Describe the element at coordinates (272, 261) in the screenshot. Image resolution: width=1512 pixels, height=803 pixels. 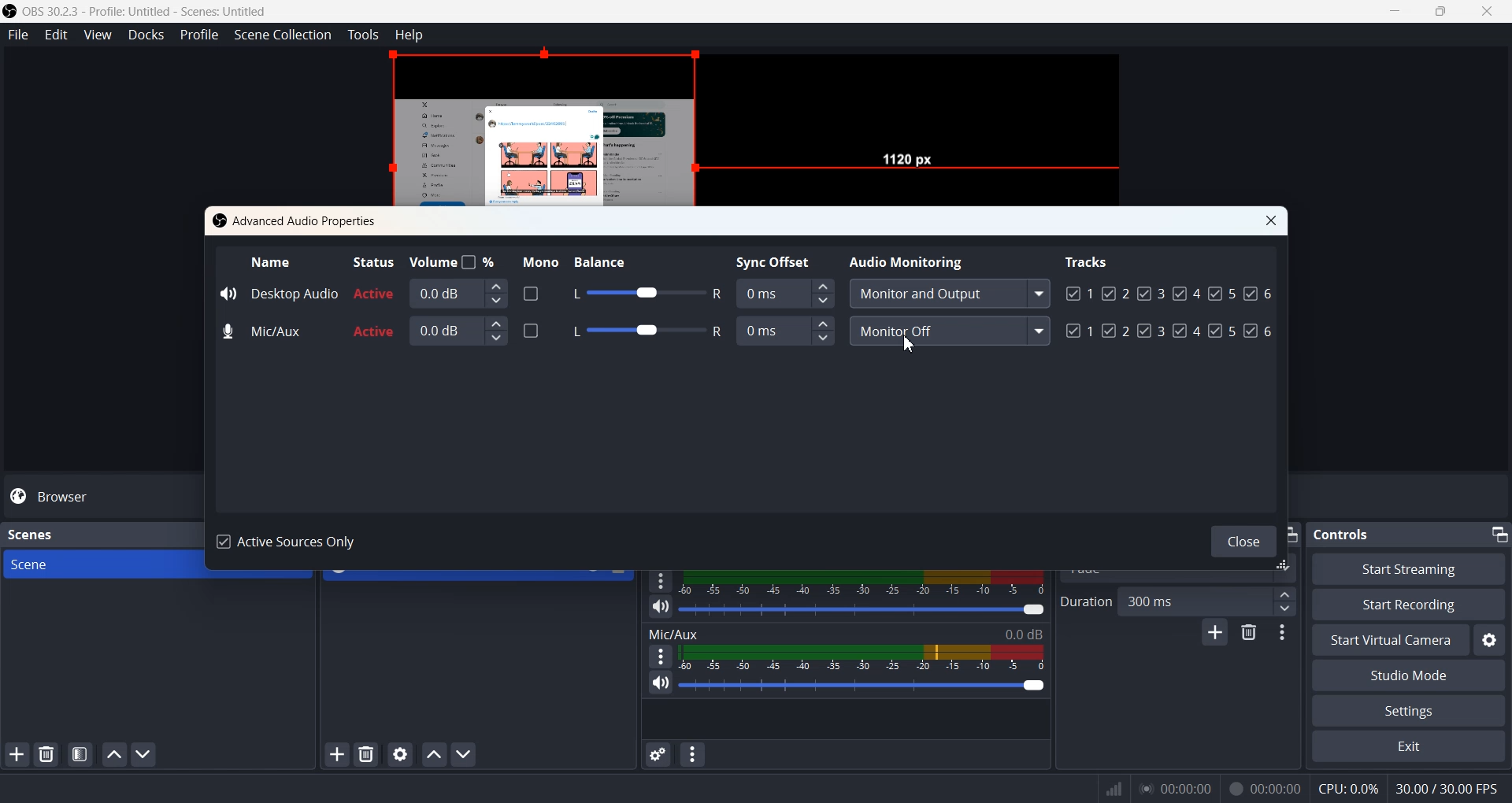
I see `Name` at that location.